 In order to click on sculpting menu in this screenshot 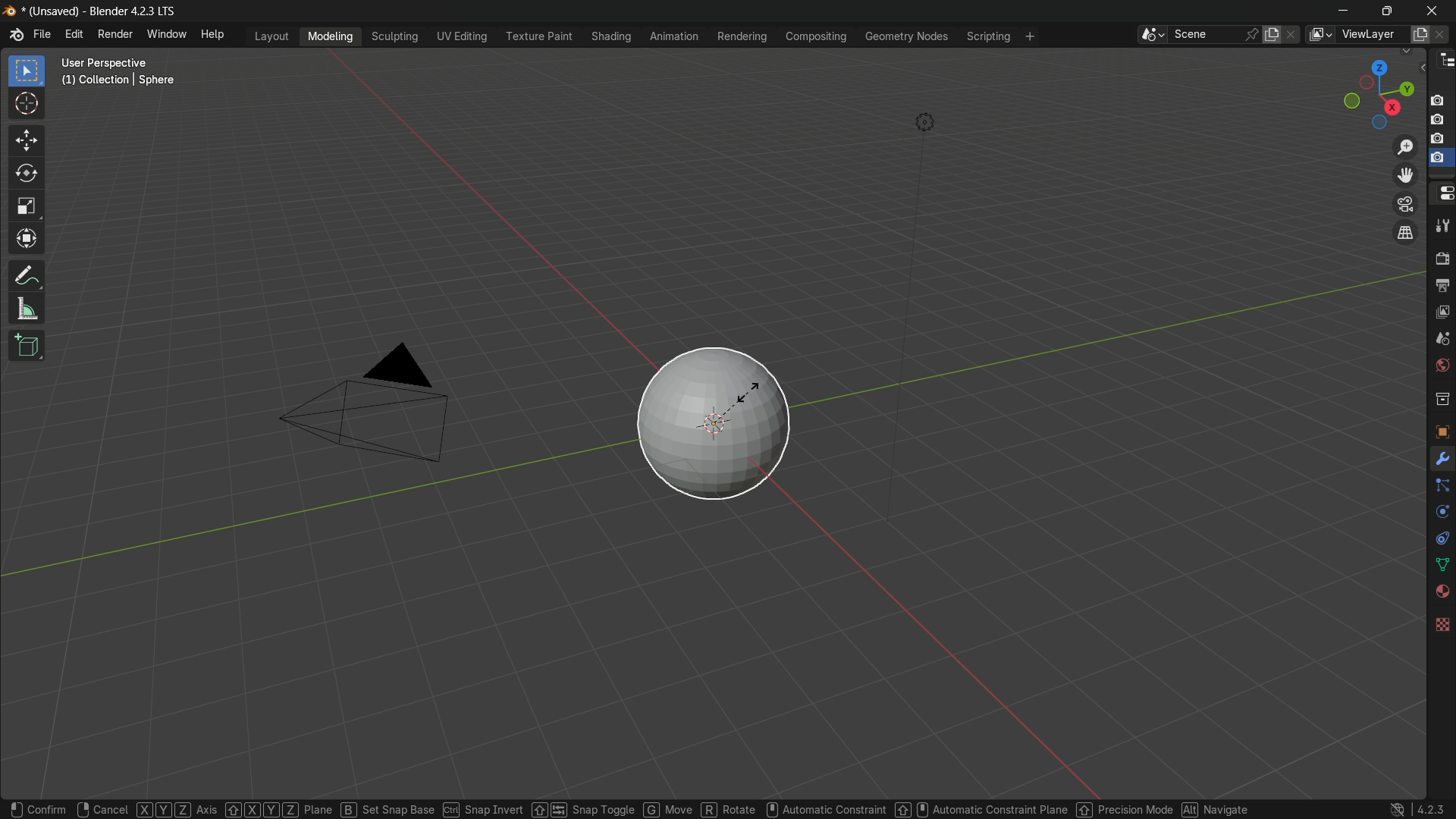, I will do `click(396, 37)`.